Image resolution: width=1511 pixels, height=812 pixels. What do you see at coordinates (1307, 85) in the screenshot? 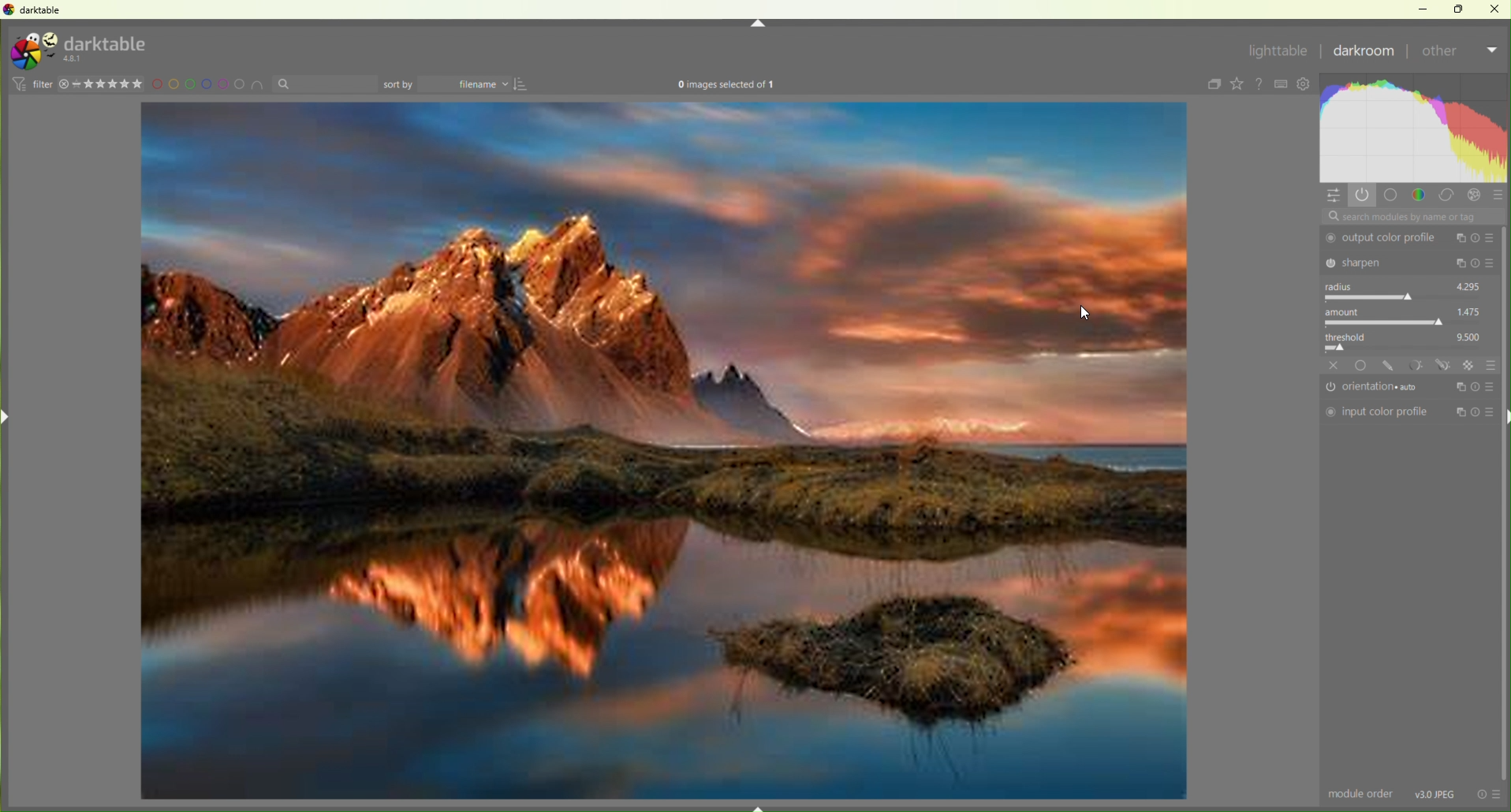
I see `Settings` at bounding box center [1307, 85].